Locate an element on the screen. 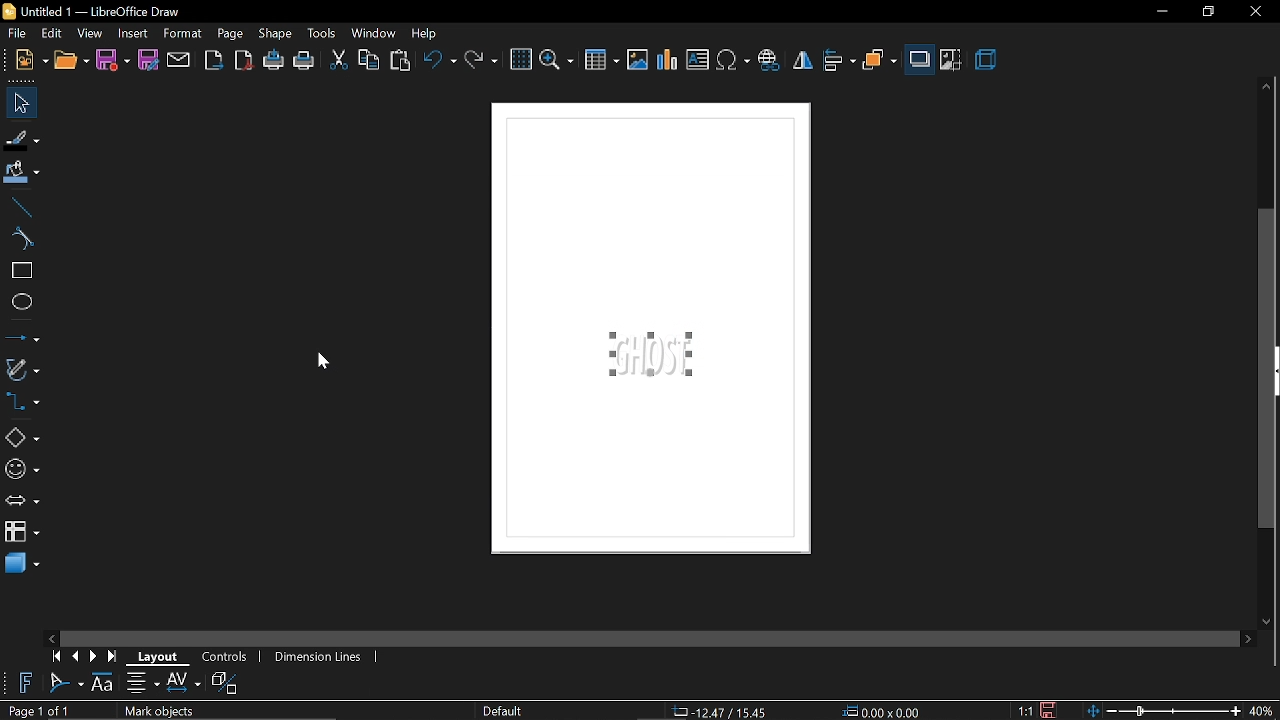 The height and width of the screenshot is (720, 1280). close is located at coordinates (1256, 13).